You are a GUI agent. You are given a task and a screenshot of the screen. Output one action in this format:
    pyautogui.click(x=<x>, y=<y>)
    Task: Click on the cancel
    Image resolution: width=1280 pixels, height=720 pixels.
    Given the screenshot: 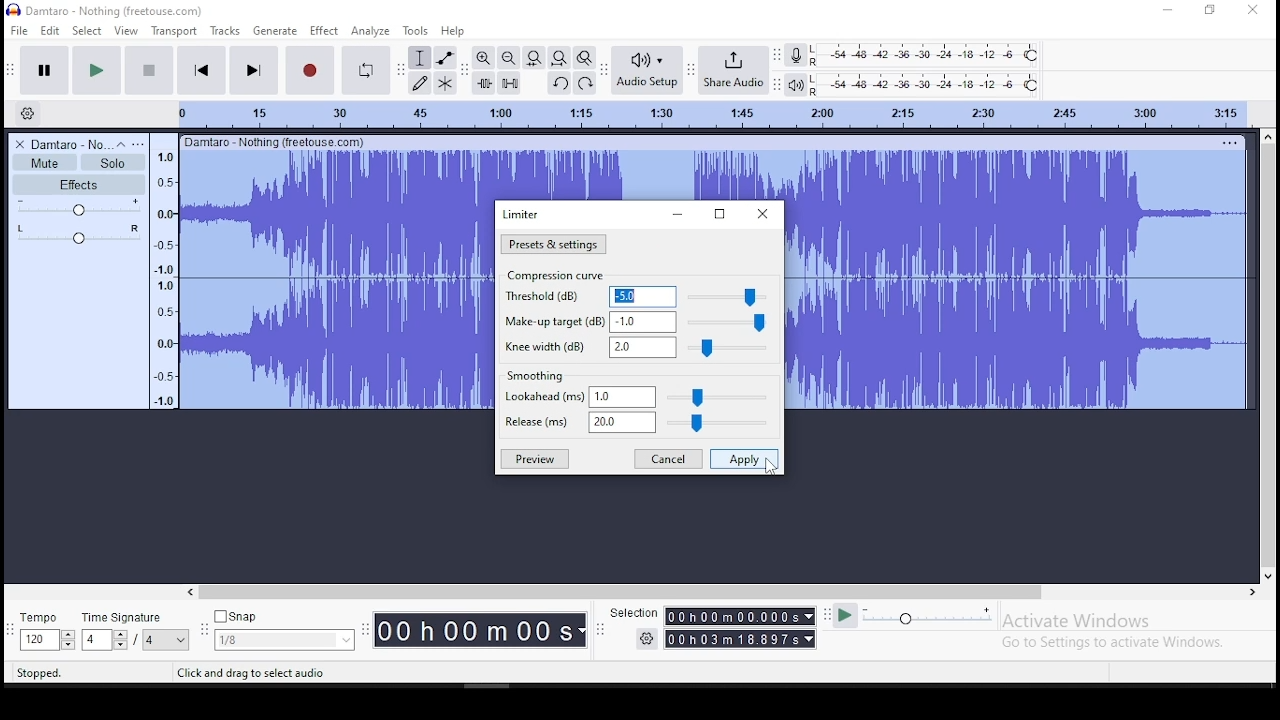 What is the action you would take?
    pyautogui.click(x=667, y=459)
    